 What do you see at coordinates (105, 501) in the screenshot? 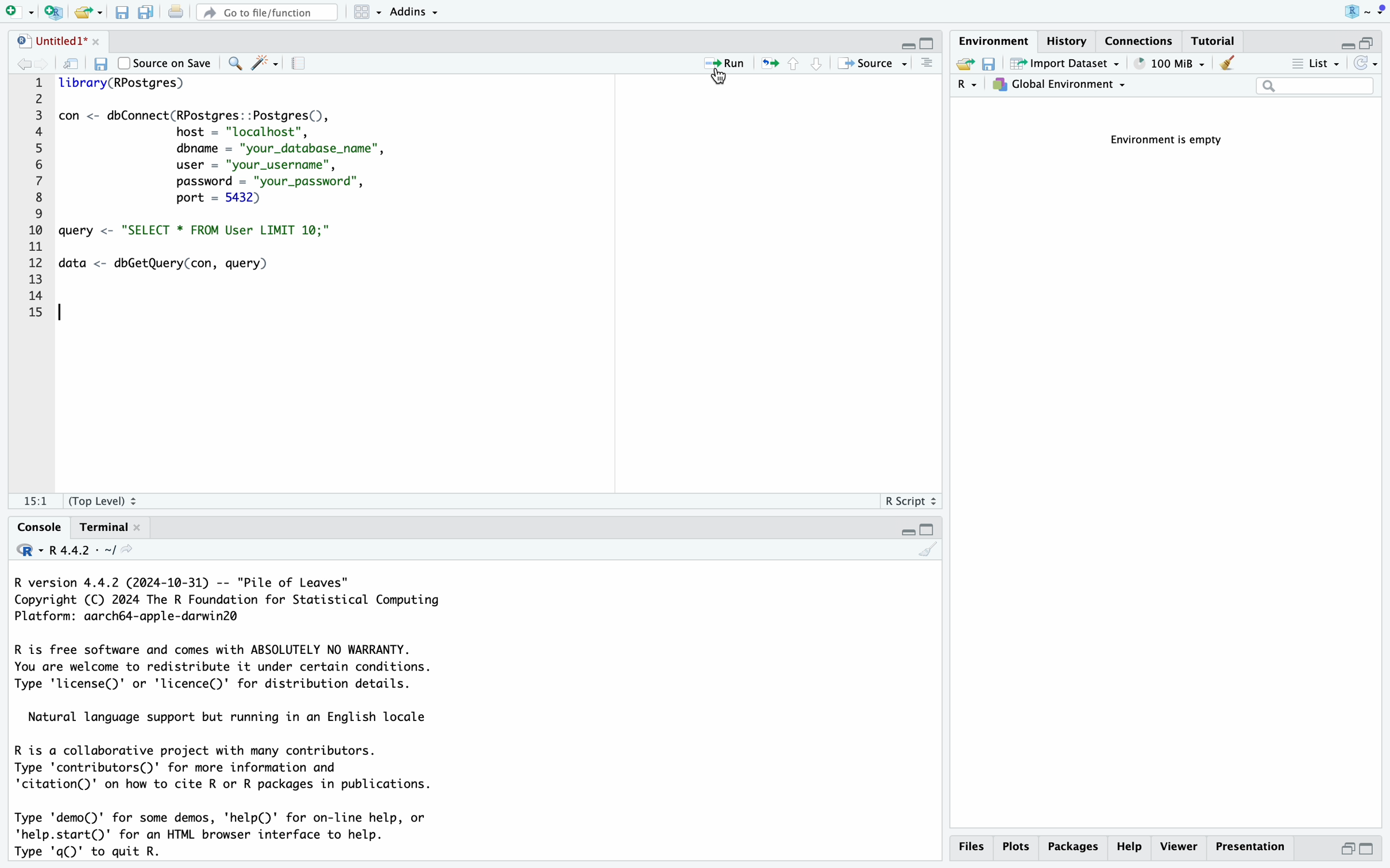
I see `(Top Level)` at bounding box center [105, 501].